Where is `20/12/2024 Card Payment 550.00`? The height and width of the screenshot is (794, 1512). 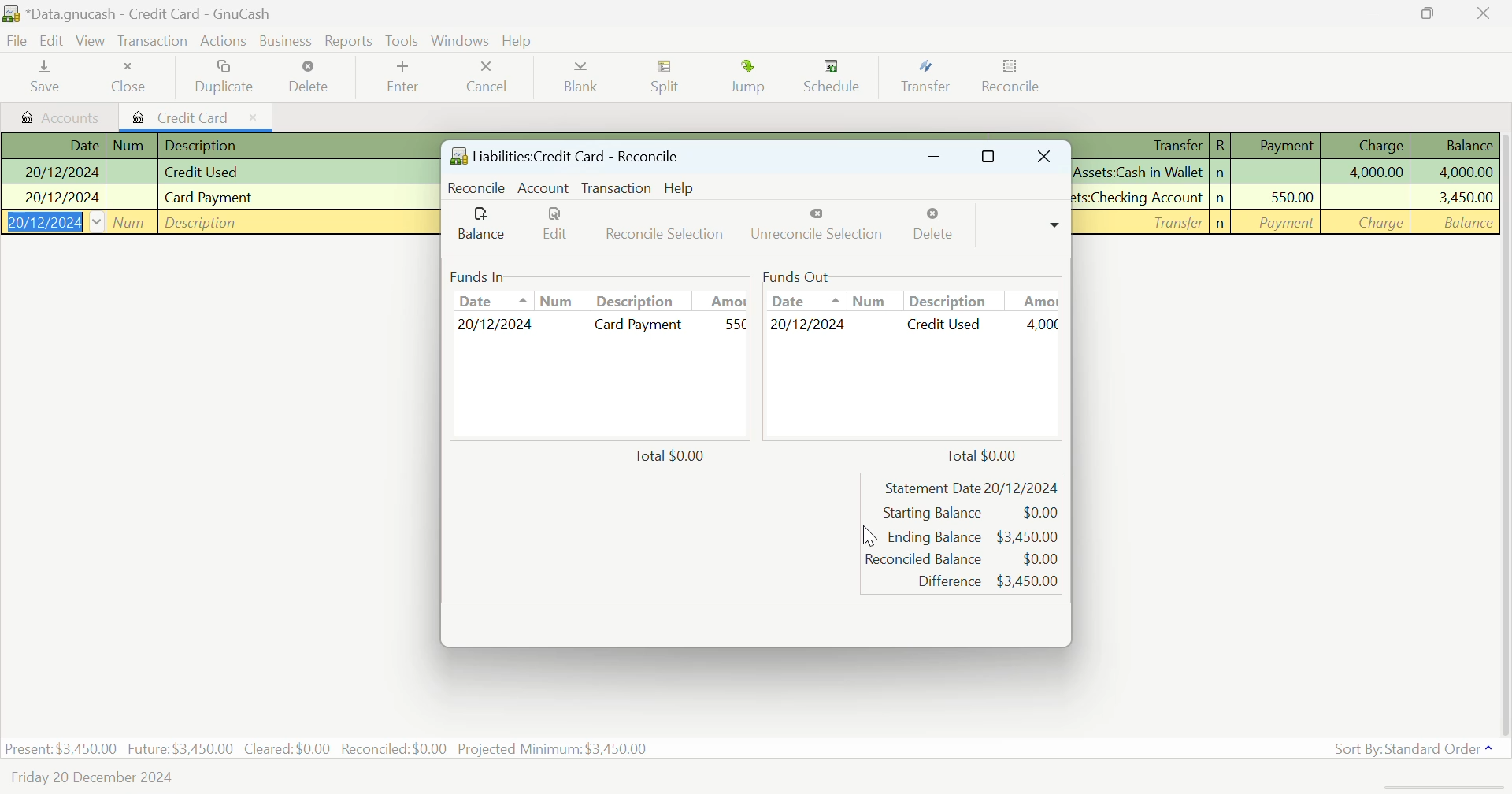 20/12/2024 Card Payment 550.00 is located at coordinates (600, 325).